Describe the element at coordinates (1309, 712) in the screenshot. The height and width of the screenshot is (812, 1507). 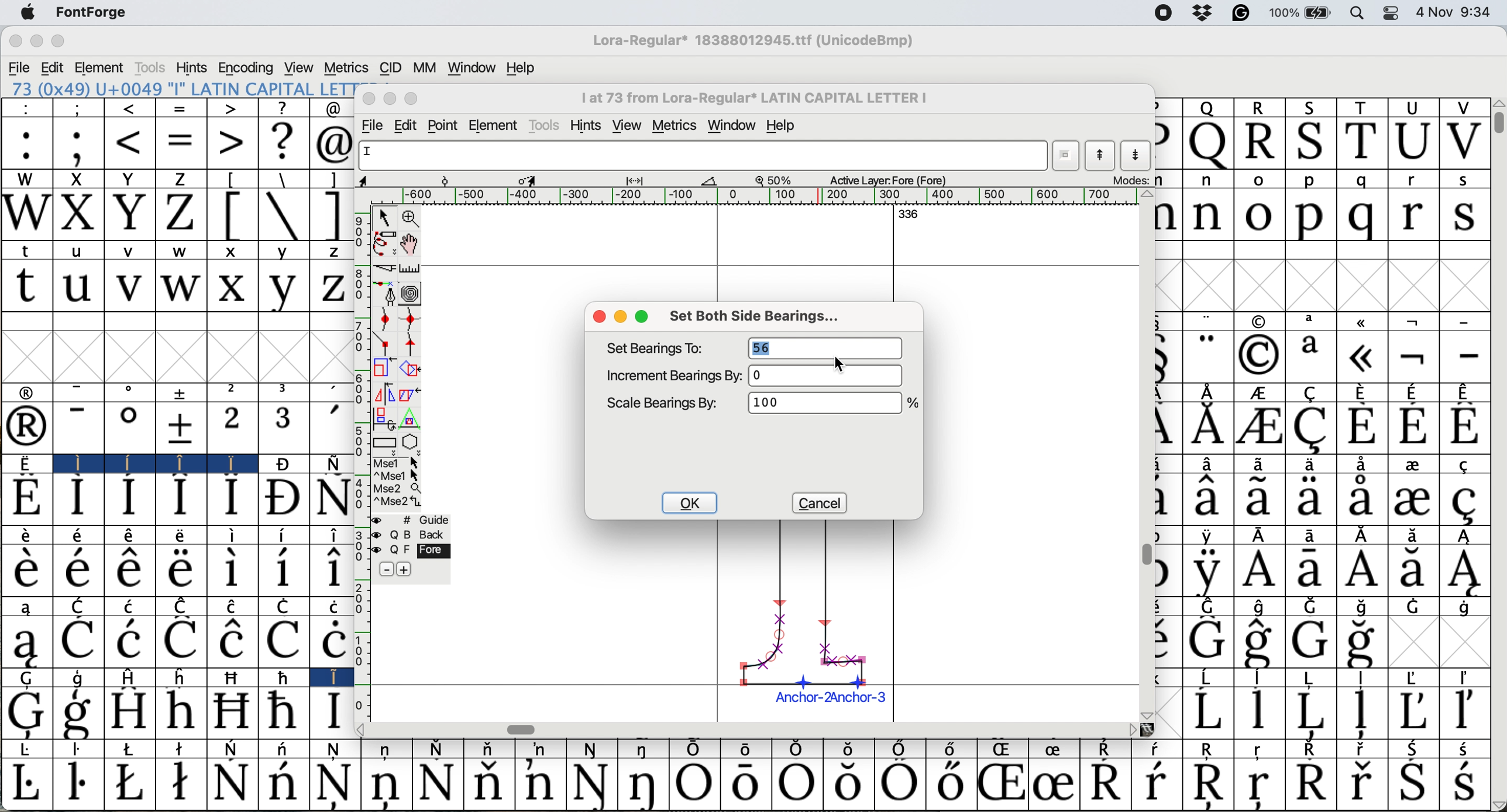
I see `Symbol` at that location.